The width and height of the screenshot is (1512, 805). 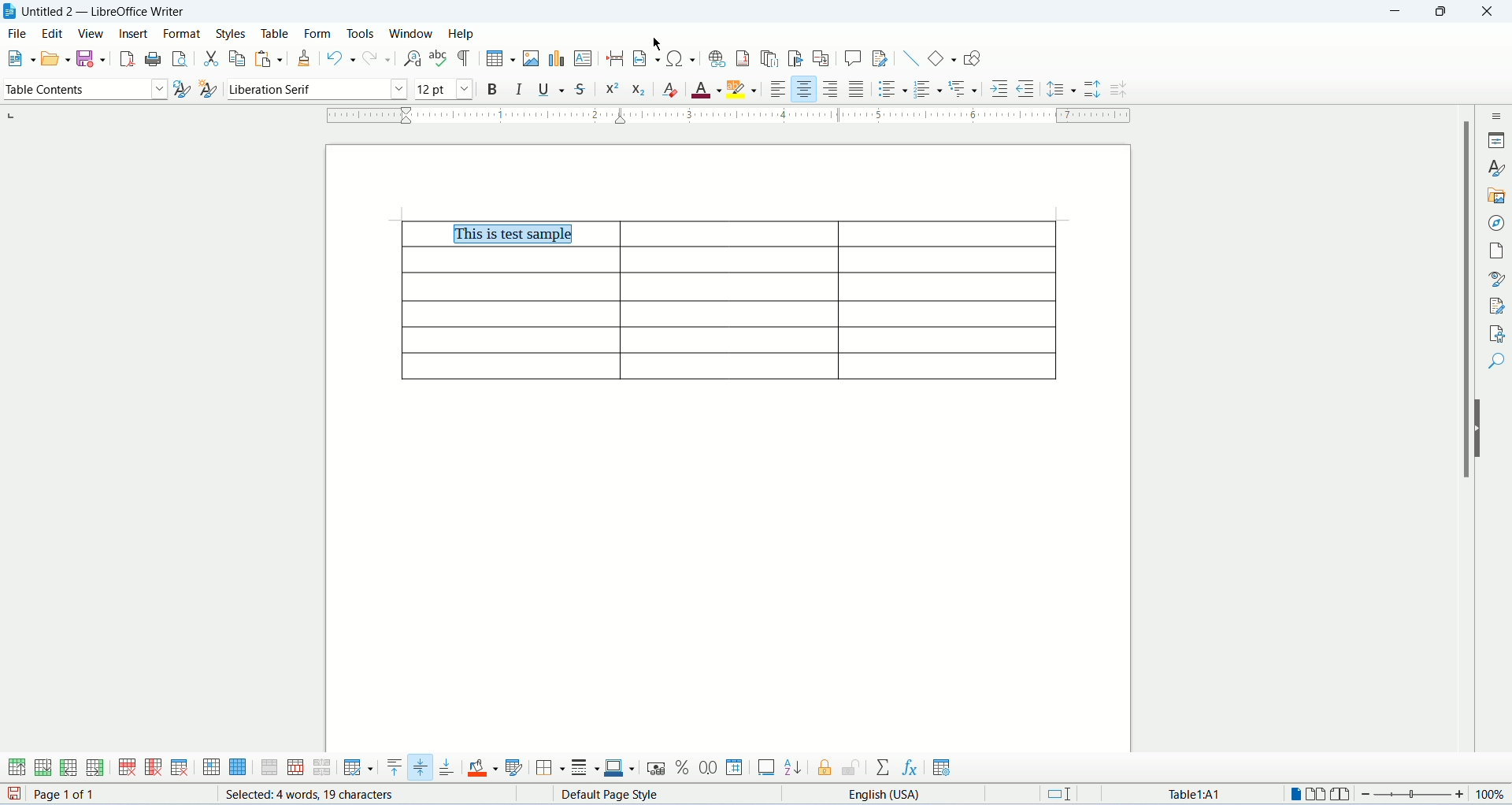 What do you see at coordinates (613, 92) in the screenshot?
I see `superscript` at bounding box center [613, 92].